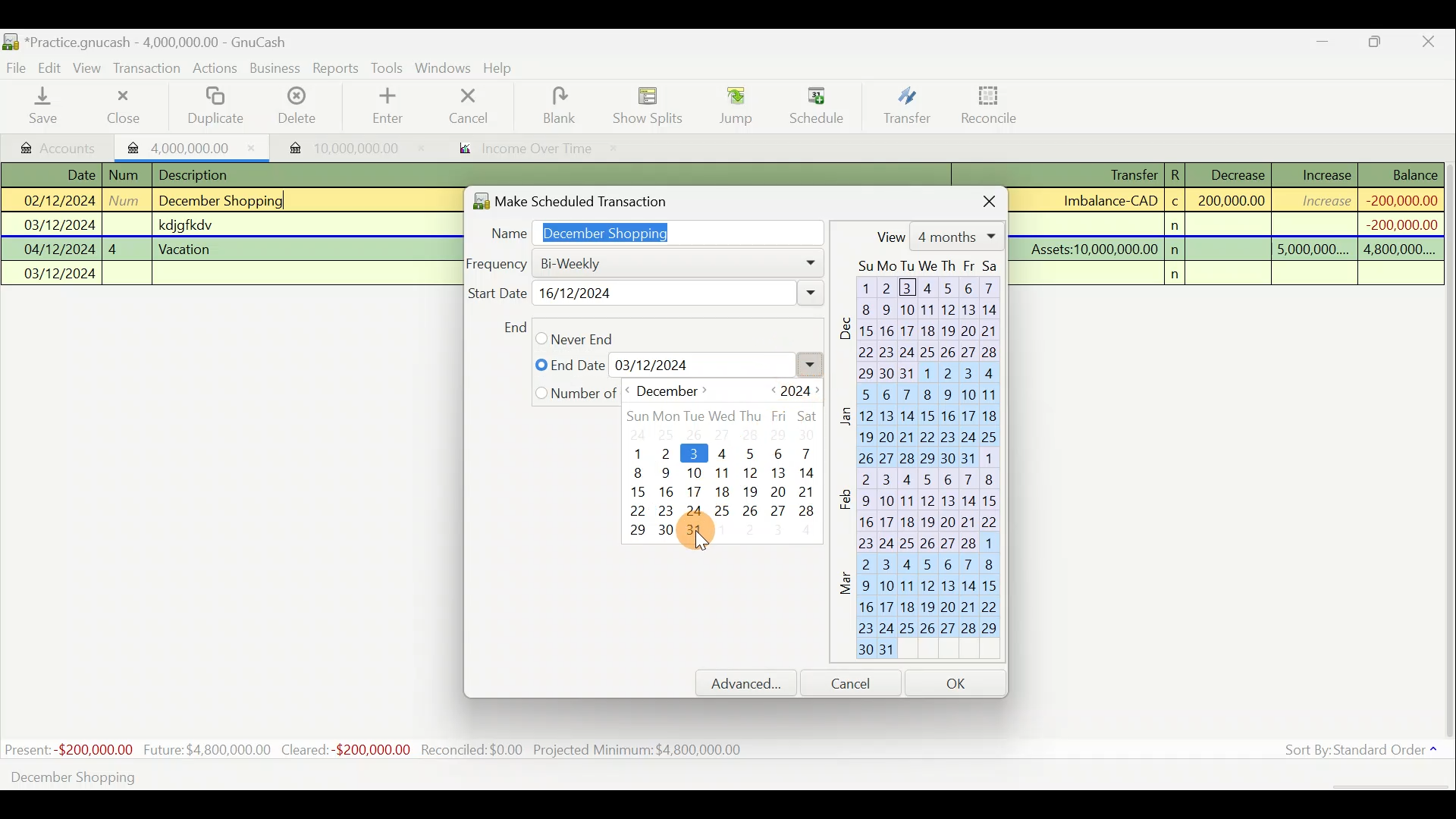  I want to click on Yearly, so click(576, 393).